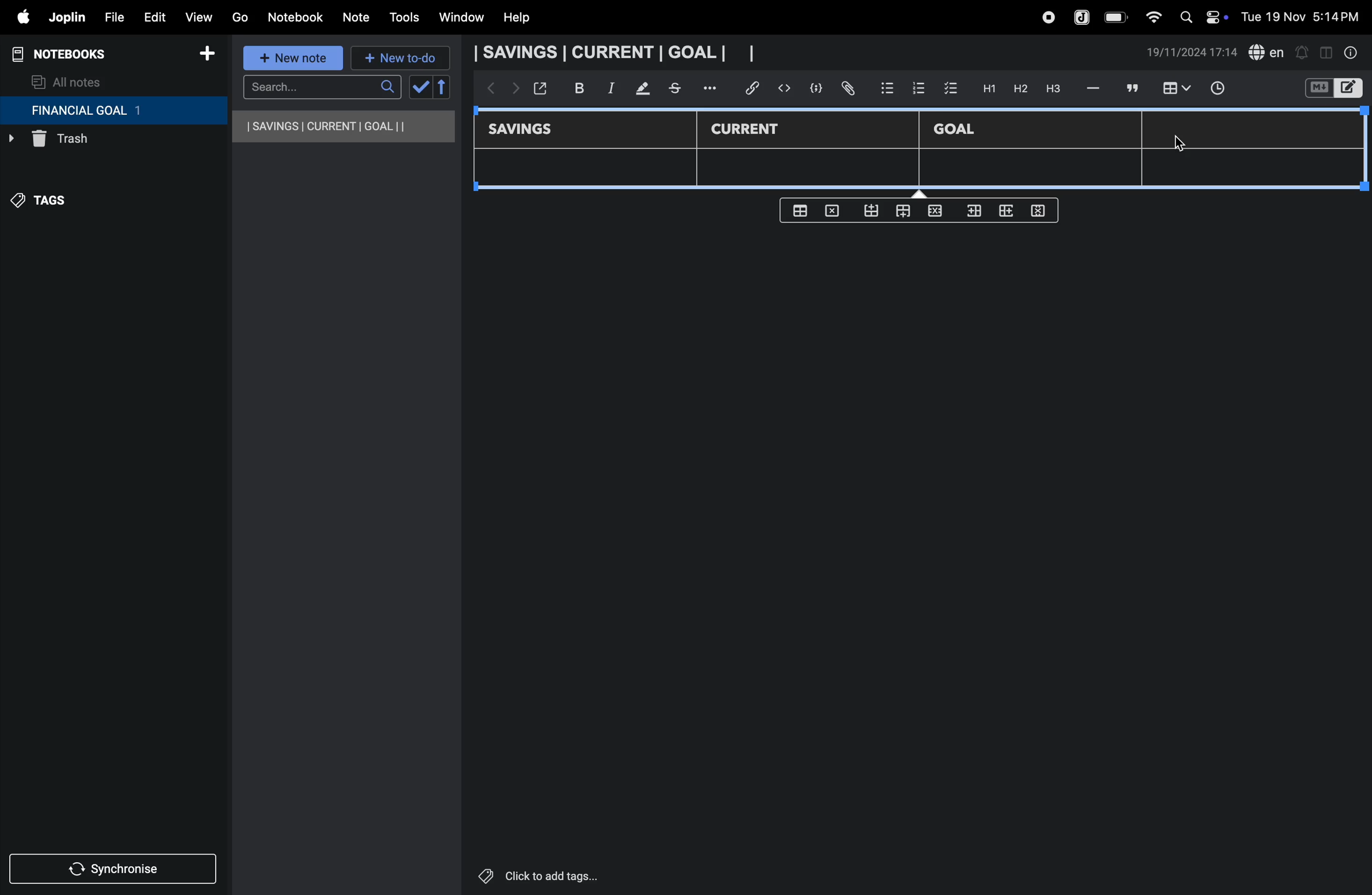 The height and width of the screenshot is (895, 1372). Describe the element at coordinates (149, 14) in the screenshot. I see `edit` at that location.